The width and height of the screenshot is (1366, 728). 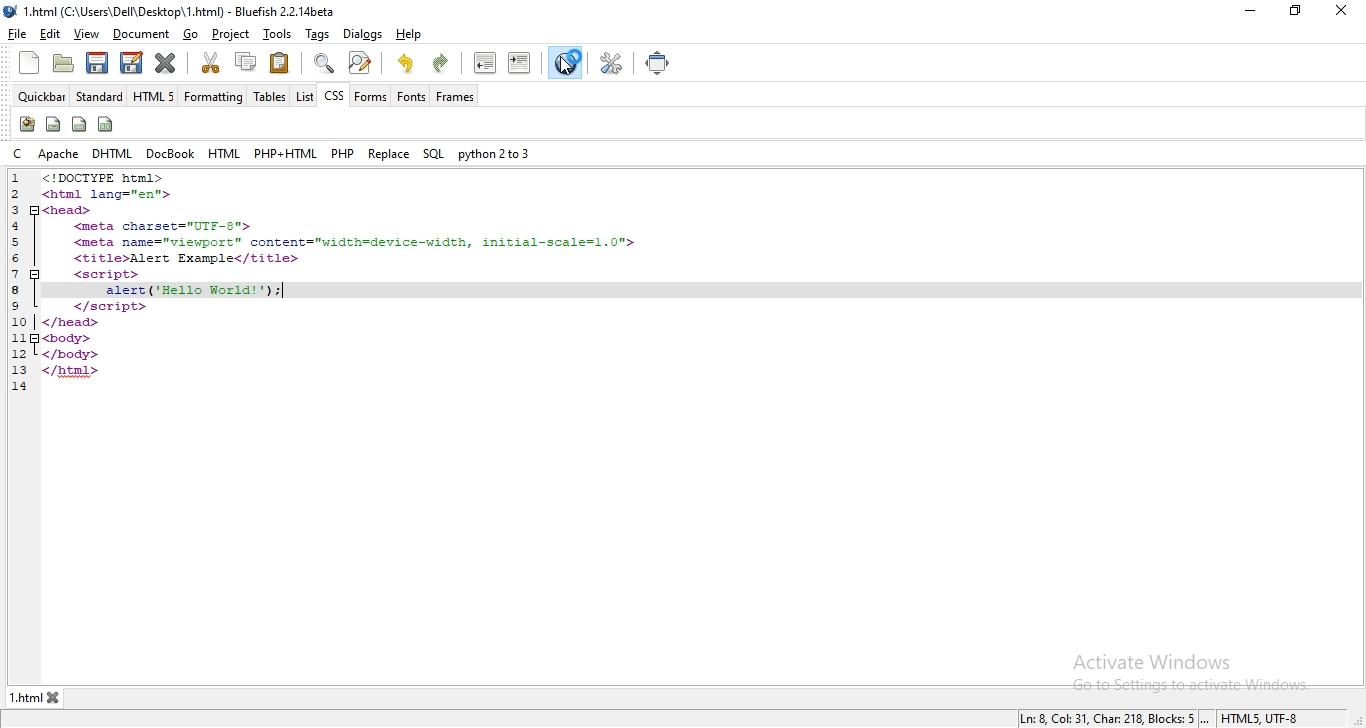 What do you see at coordinates (18, 258) in the screenshot?
I see `6` at bounding box center [18, 258].